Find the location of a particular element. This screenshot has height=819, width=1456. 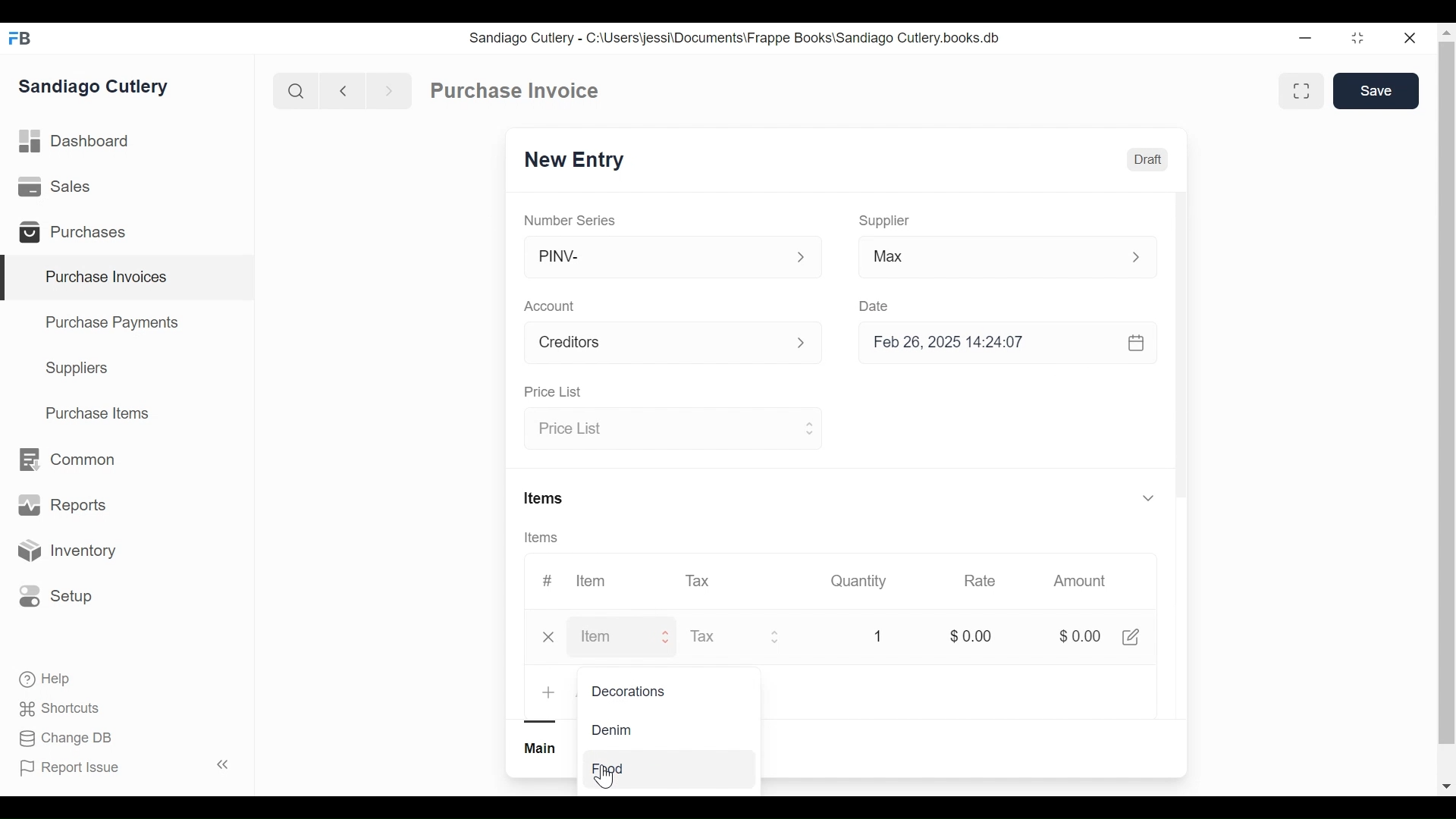

Sandiago Cutlery is located at coordinates (96, 88).